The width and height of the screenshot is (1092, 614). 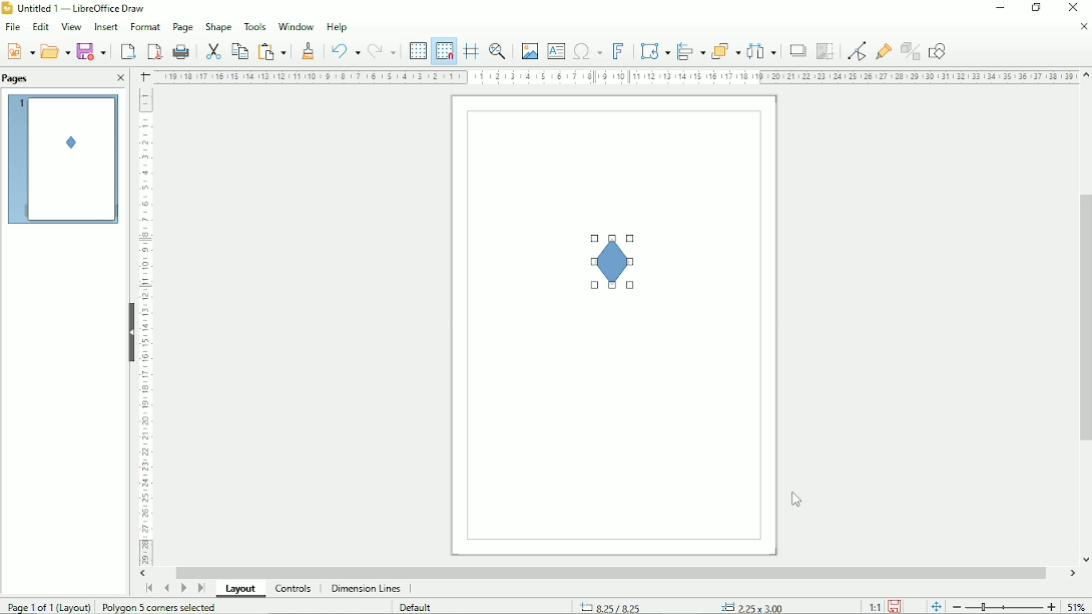 What do you see at coordinates (143, 27) in the screenshot?
I see `Format` at bounding box center [143, 27].